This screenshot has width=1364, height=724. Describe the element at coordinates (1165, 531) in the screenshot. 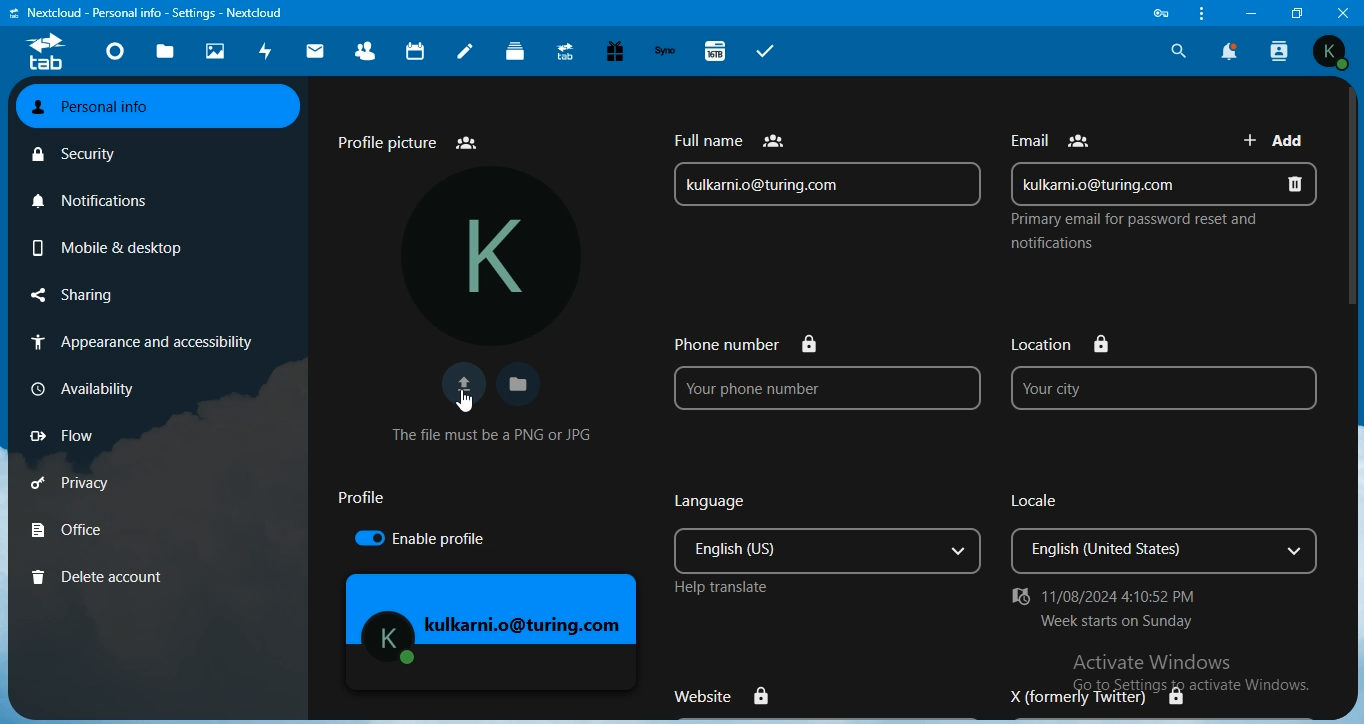

I see `locale` at that location.